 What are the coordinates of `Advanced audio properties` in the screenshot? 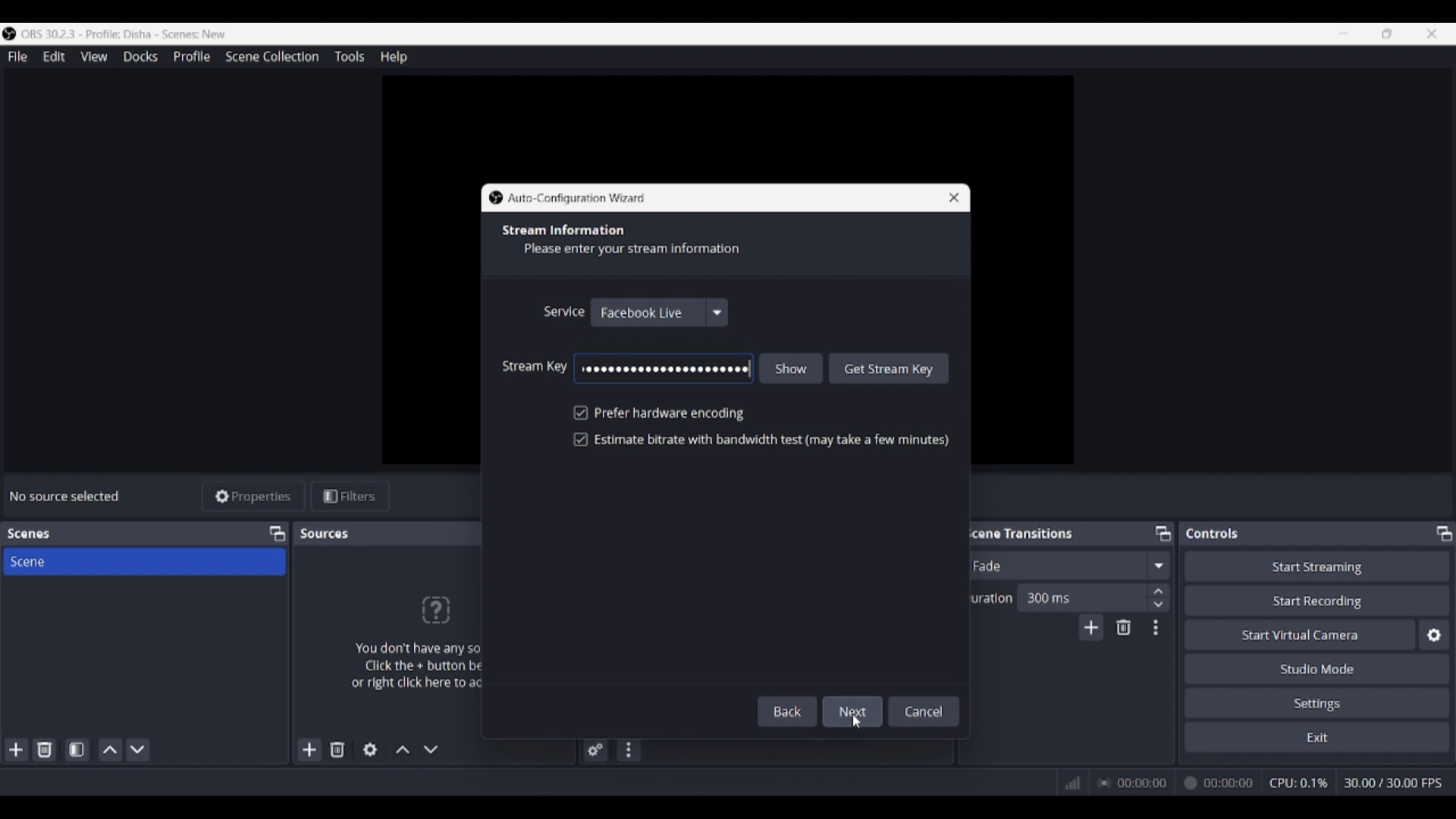 It's located at (595, 750).